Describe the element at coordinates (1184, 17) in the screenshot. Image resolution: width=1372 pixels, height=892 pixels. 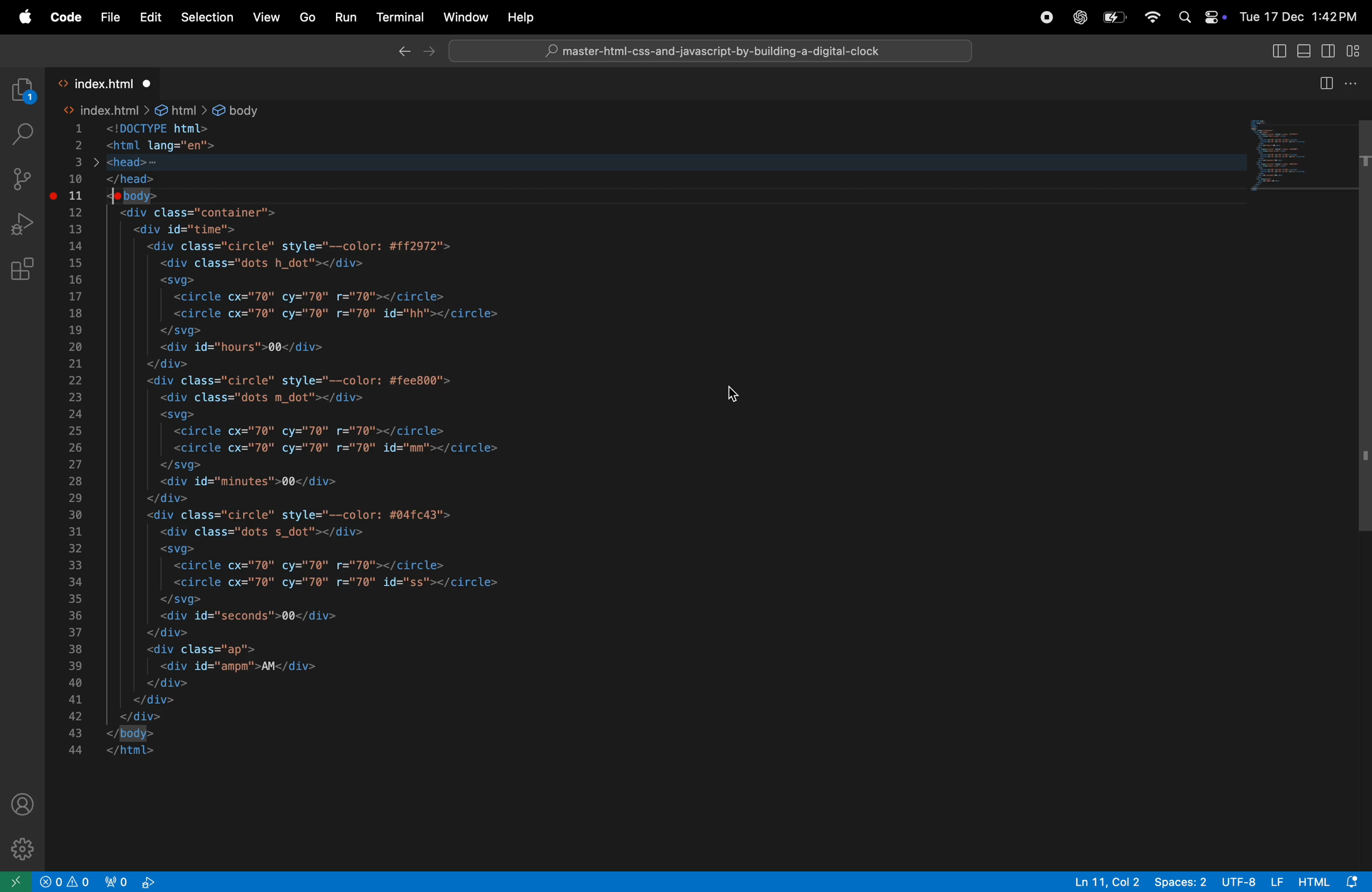
I see `Spotlight` at that location.